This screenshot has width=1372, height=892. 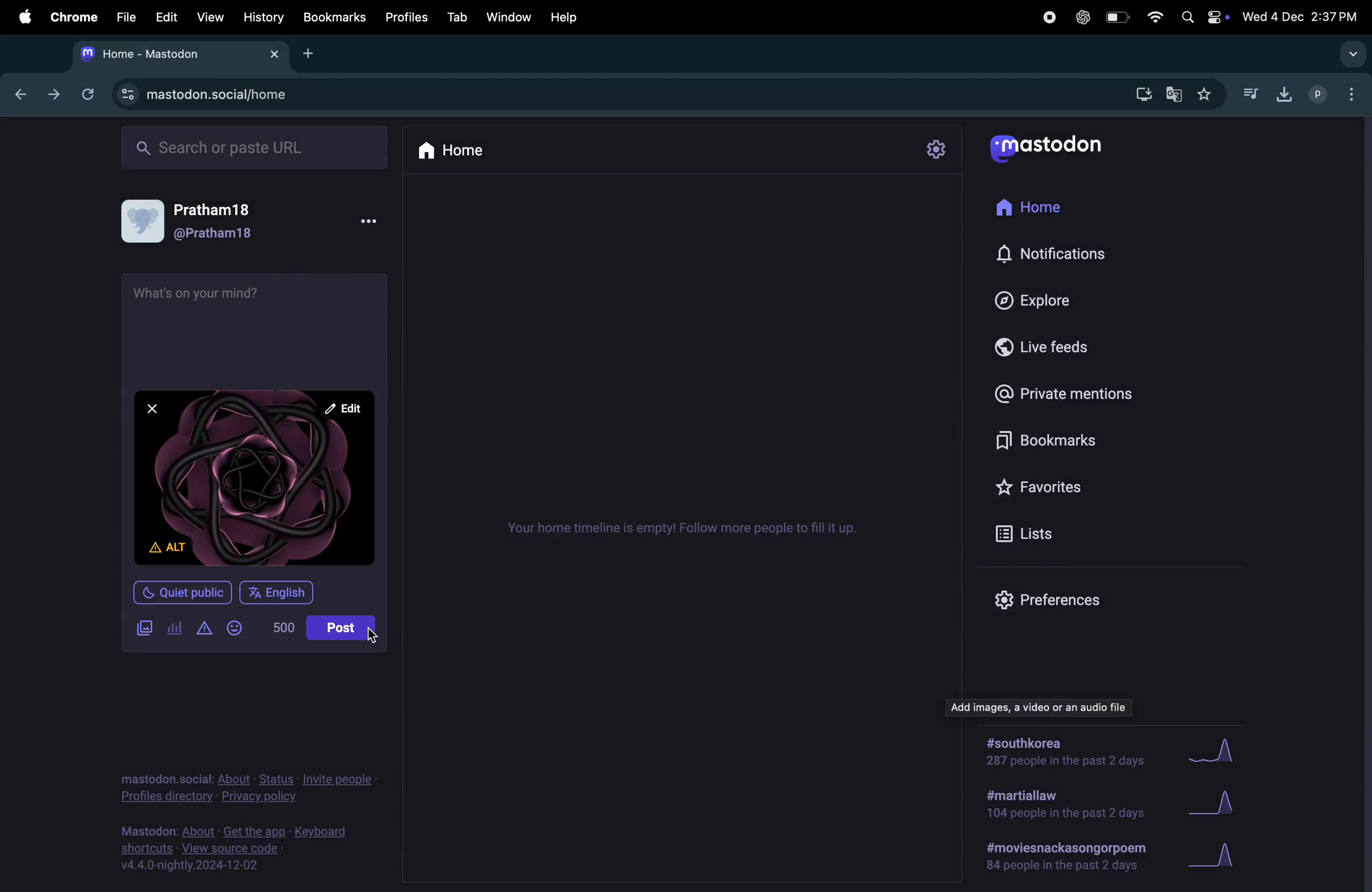 I want to click on drop down, so click(x=1349, y=53).